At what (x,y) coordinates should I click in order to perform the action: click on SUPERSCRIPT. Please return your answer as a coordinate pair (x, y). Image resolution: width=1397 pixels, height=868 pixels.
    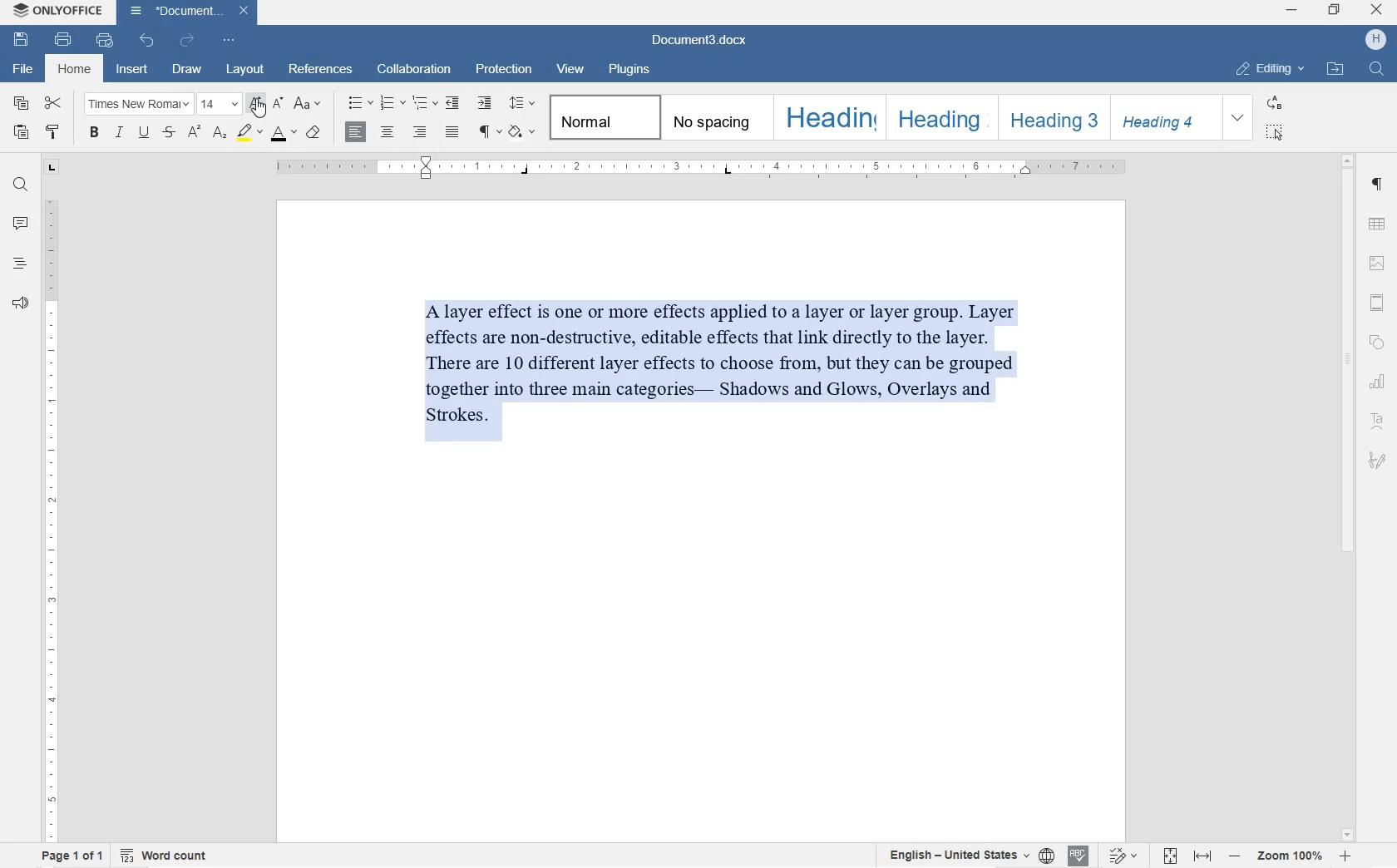
    Looking at the image, I should click on (194, 135).